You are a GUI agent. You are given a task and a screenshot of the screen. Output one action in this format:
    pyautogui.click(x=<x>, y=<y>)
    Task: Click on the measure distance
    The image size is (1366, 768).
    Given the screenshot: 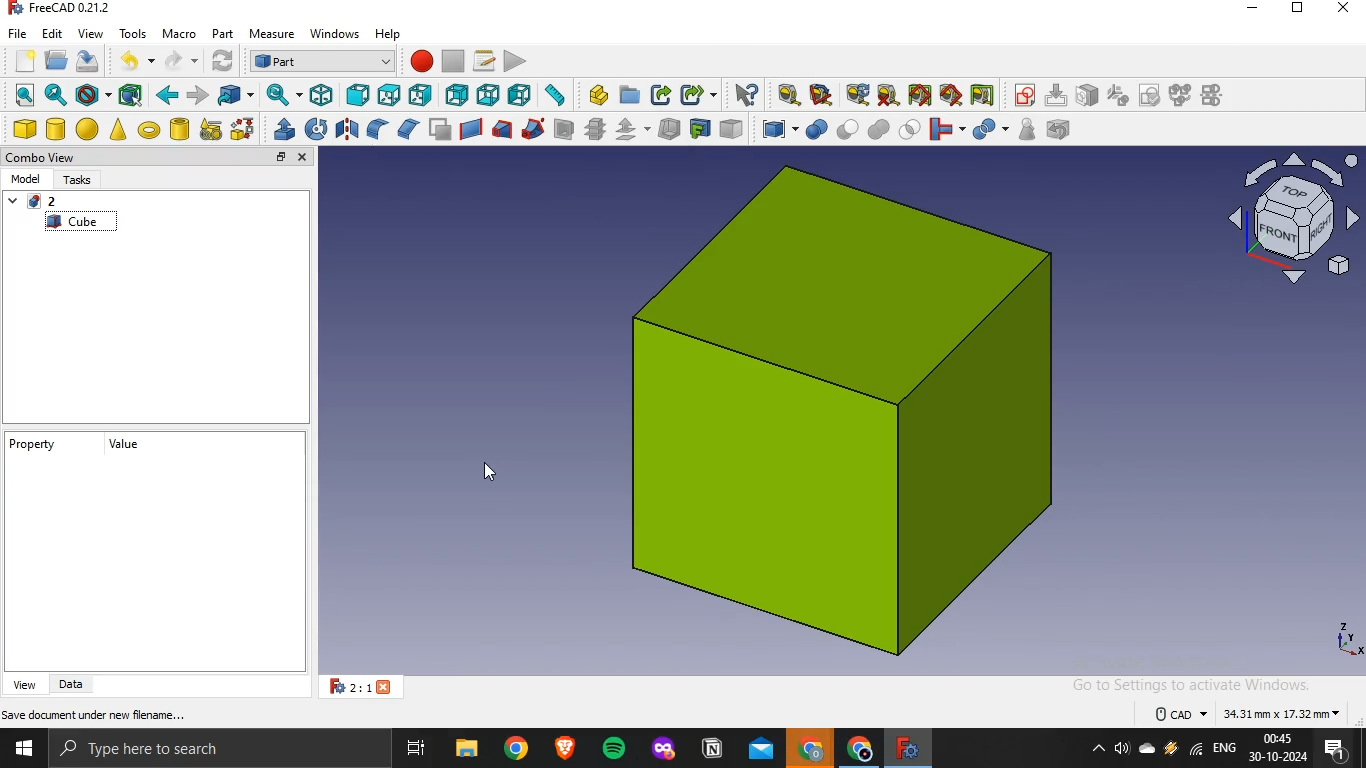 What is the action you would take?
    pyautogui.click(x=556, y=95)
    